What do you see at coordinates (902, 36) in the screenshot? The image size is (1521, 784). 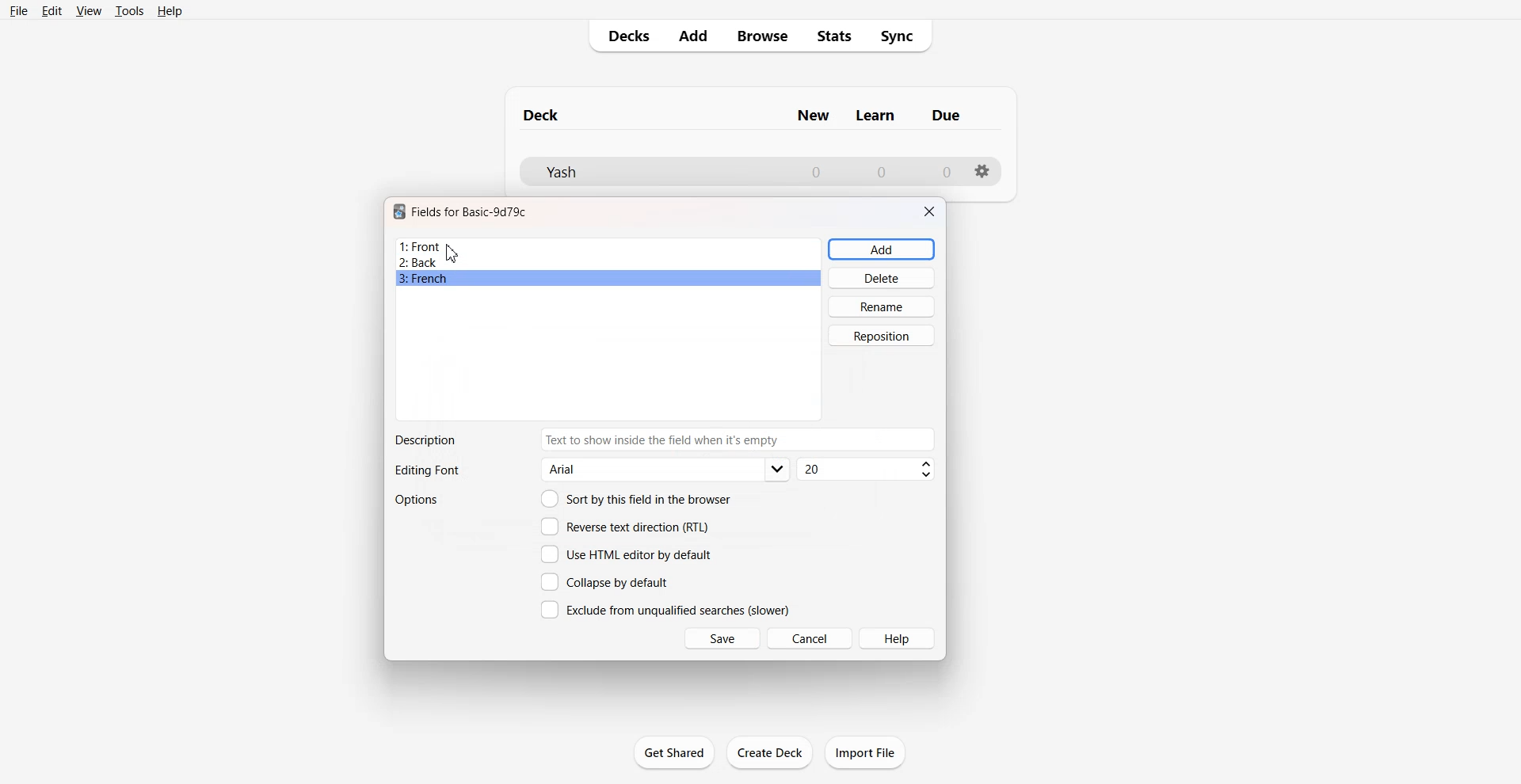 I see `Sync` at bounding box center [902, 36].